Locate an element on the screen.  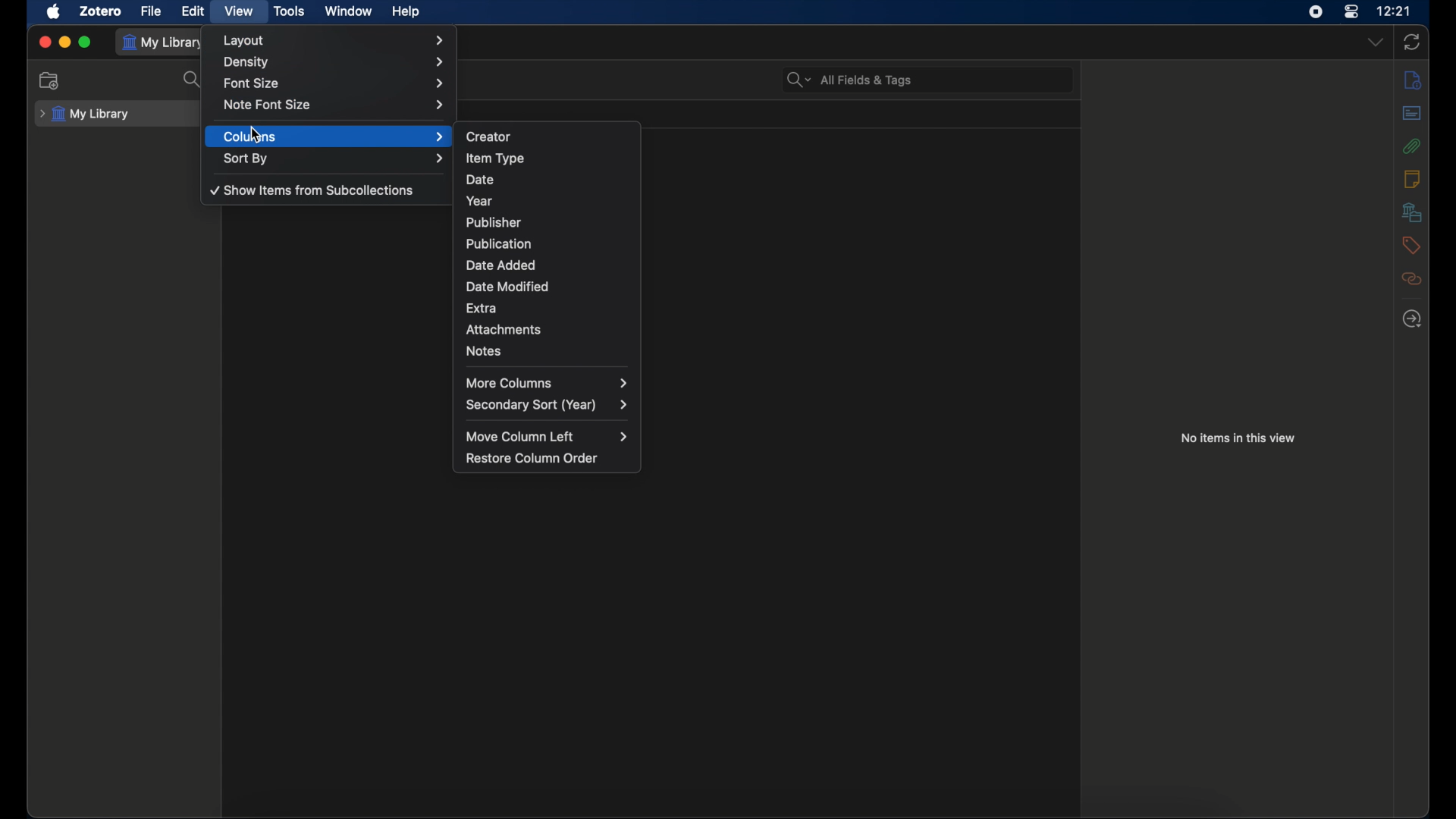
publication is located at coordinates (497, 243).